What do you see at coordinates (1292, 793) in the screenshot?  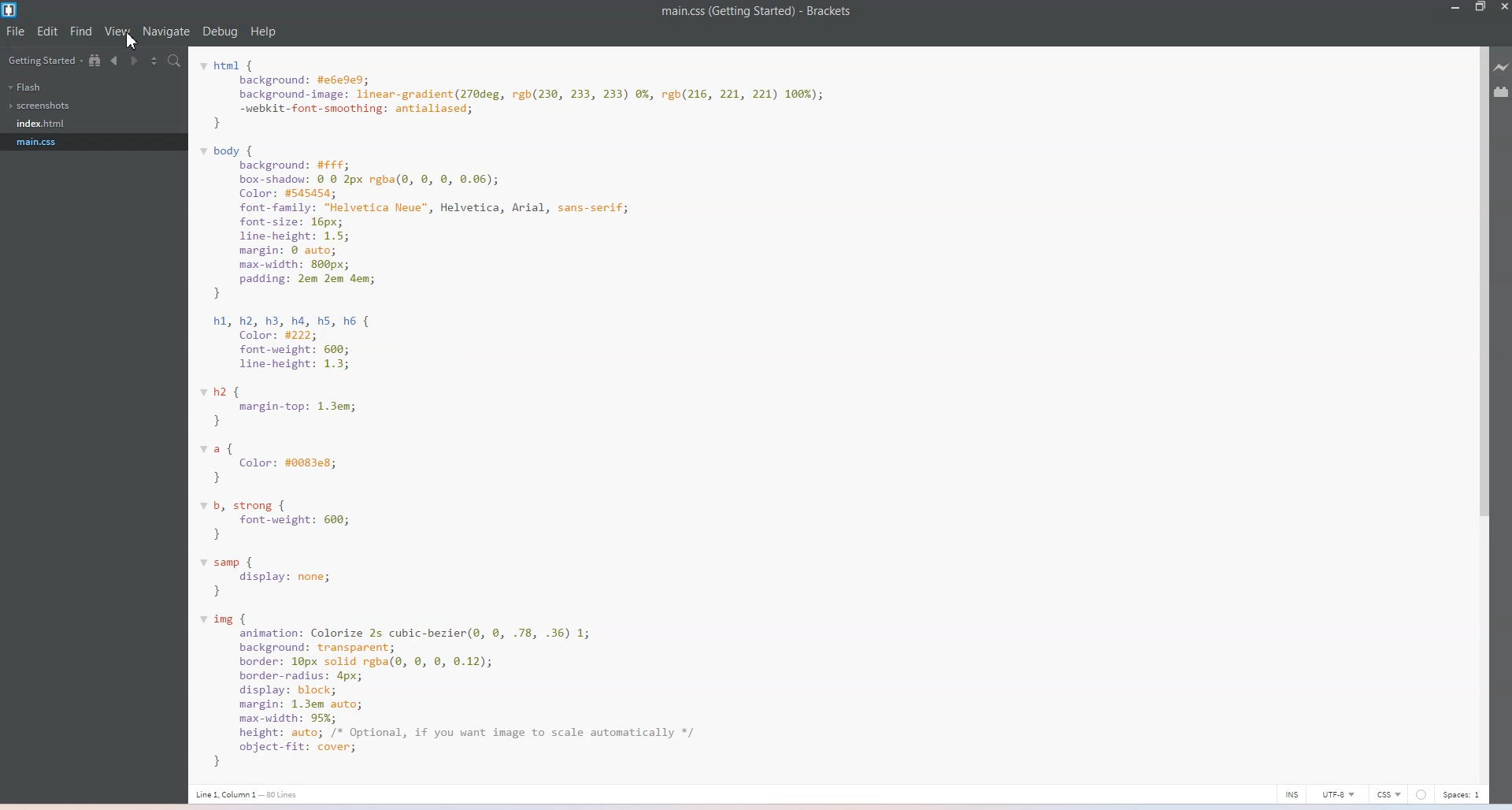 I see `INS` at bounding box center [1292, 793].